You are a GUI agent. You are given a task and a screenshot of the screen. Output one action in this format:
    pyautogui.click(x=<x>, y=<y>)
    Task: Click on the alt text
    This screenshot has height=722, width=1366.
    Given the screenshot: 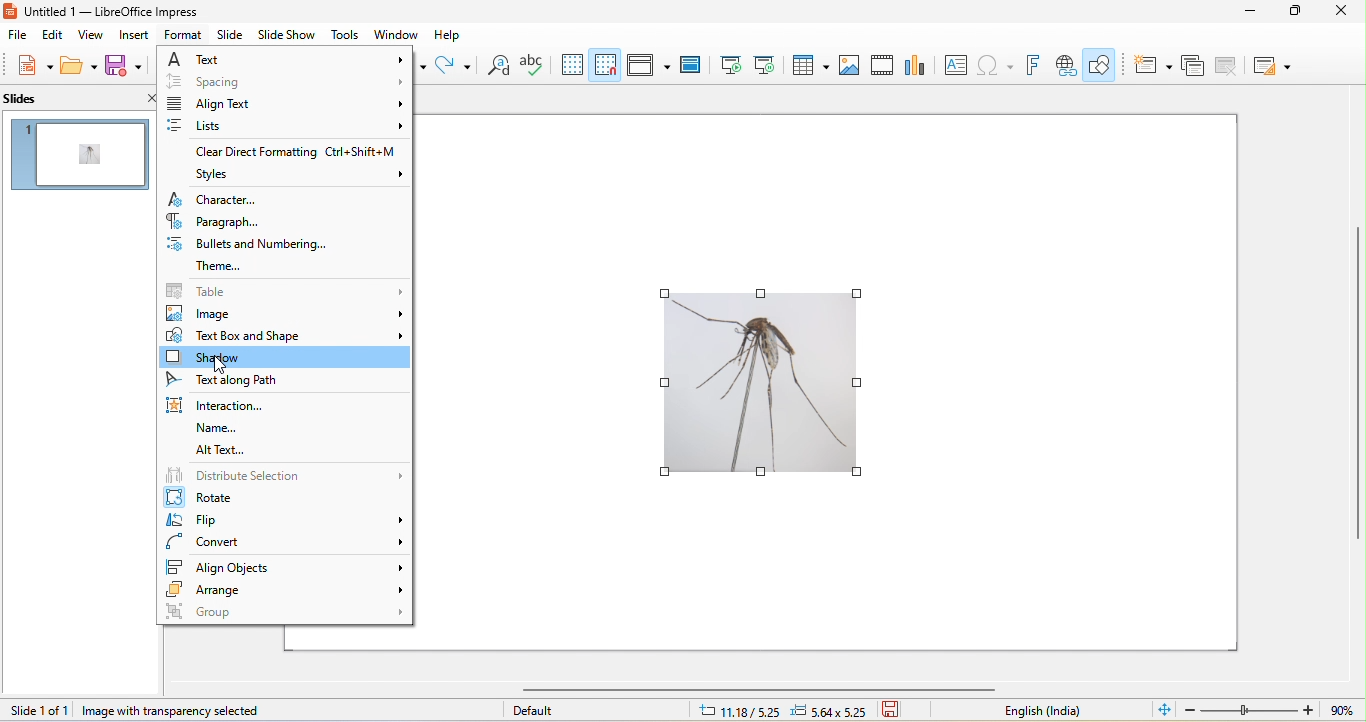 What is the action you would take?
    pyautogui.click(x=219, y=449)
    